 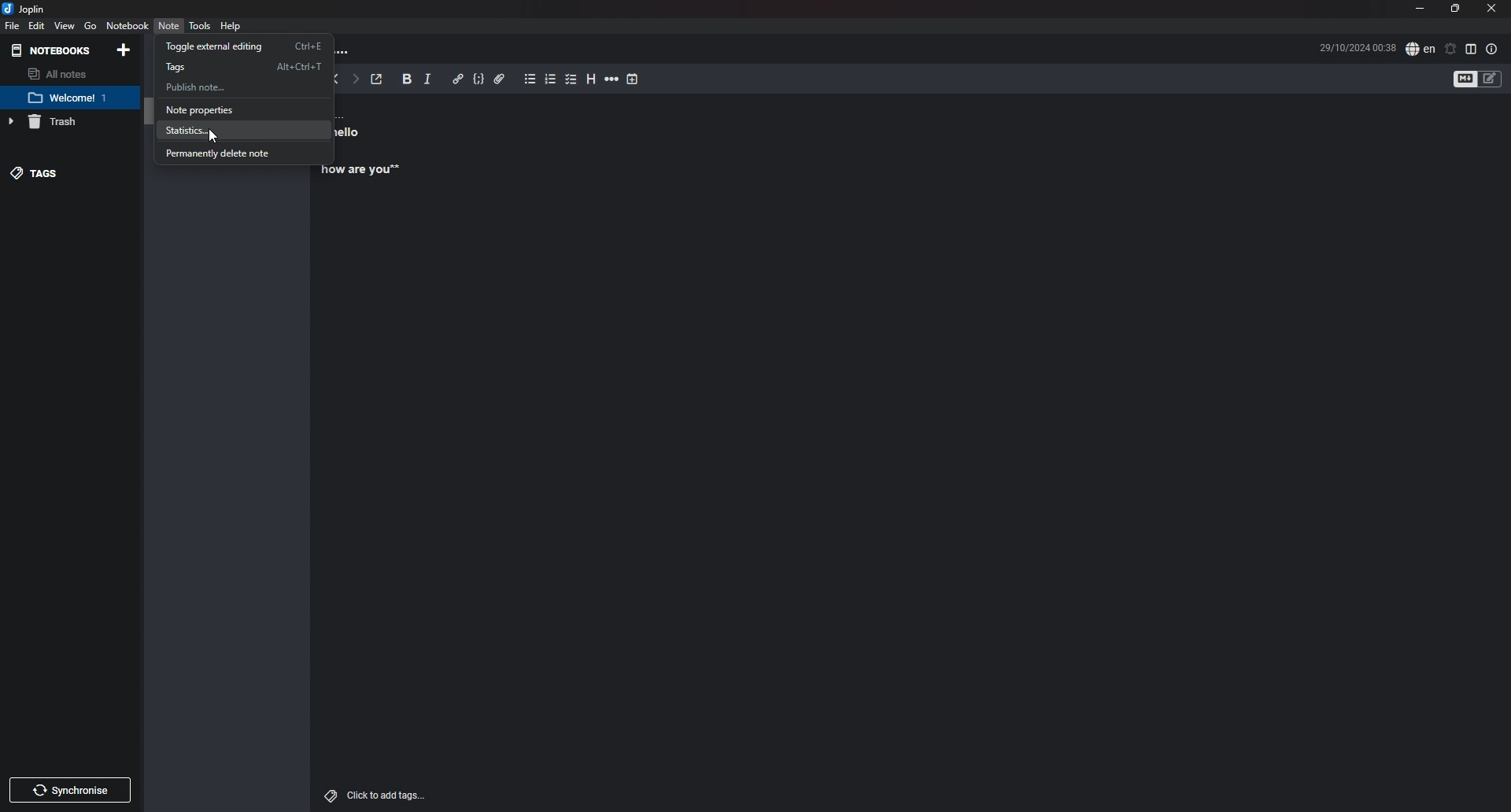 What do you see at coordinates (65, 26) in the screenshot?
I see `view` at bounding box center [65, 26].